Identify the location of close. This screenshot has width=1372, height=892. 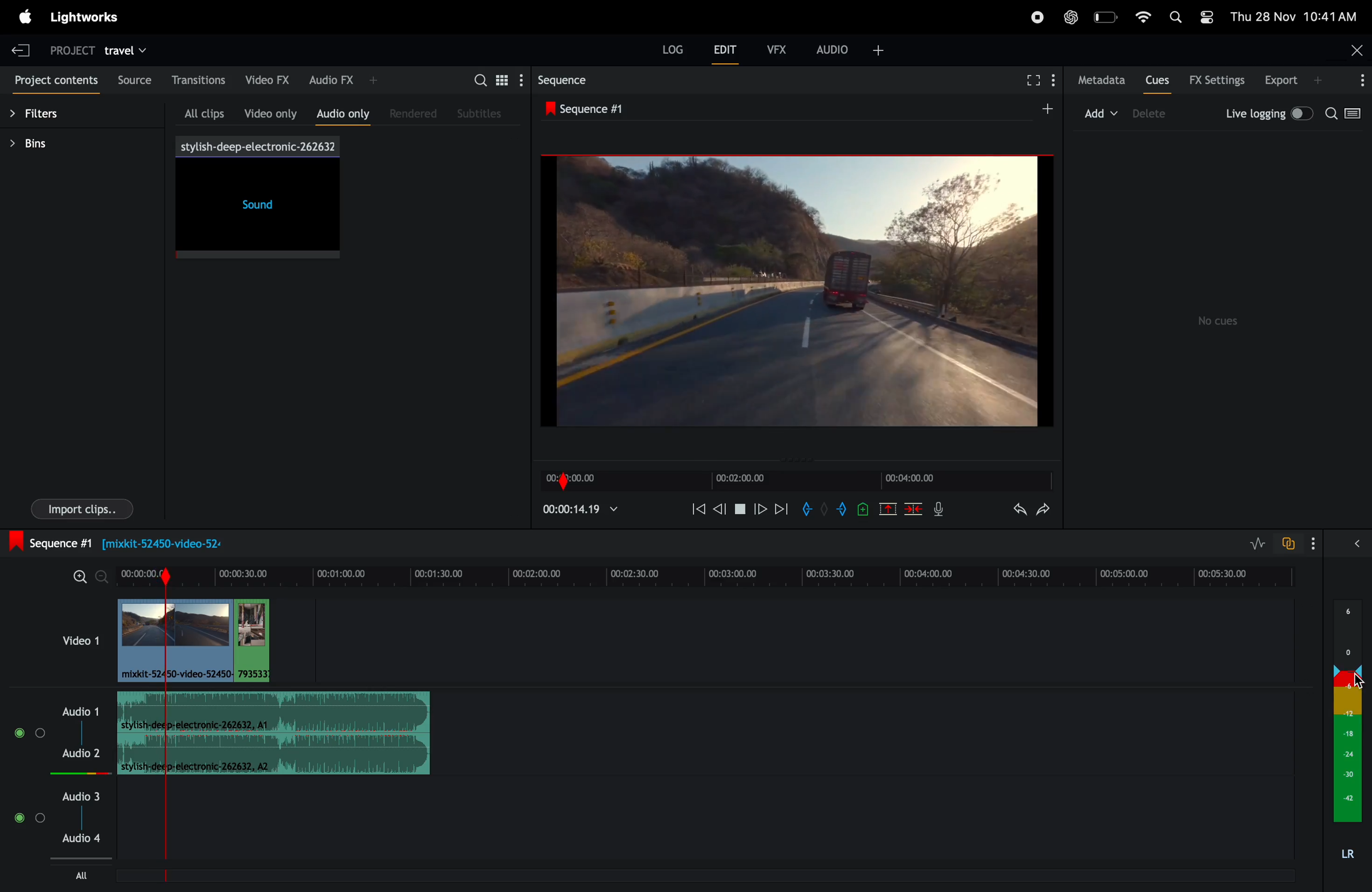
(1354, 49).